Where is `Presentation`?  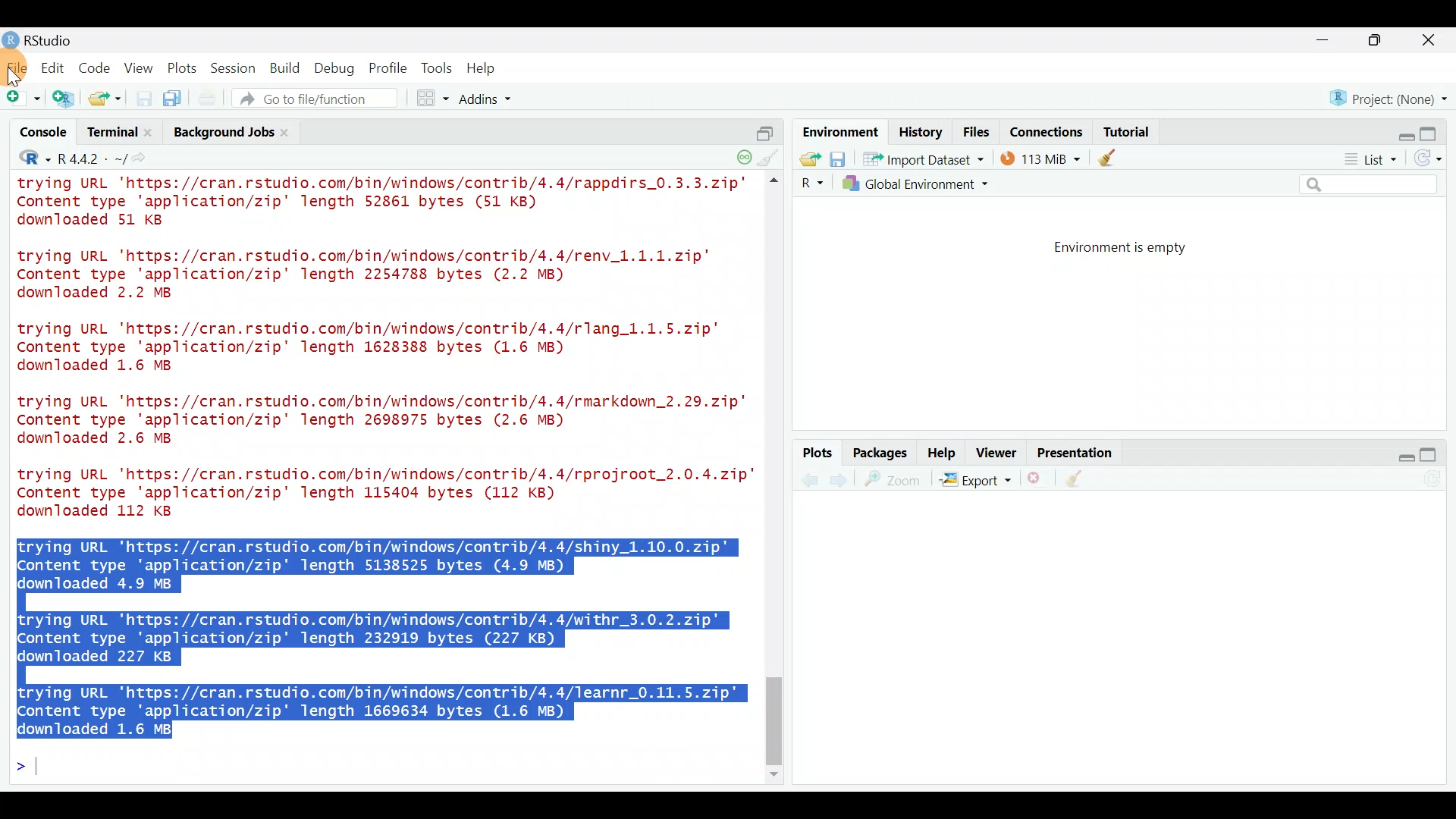
Presentation is located at coordinates (1078, 453).